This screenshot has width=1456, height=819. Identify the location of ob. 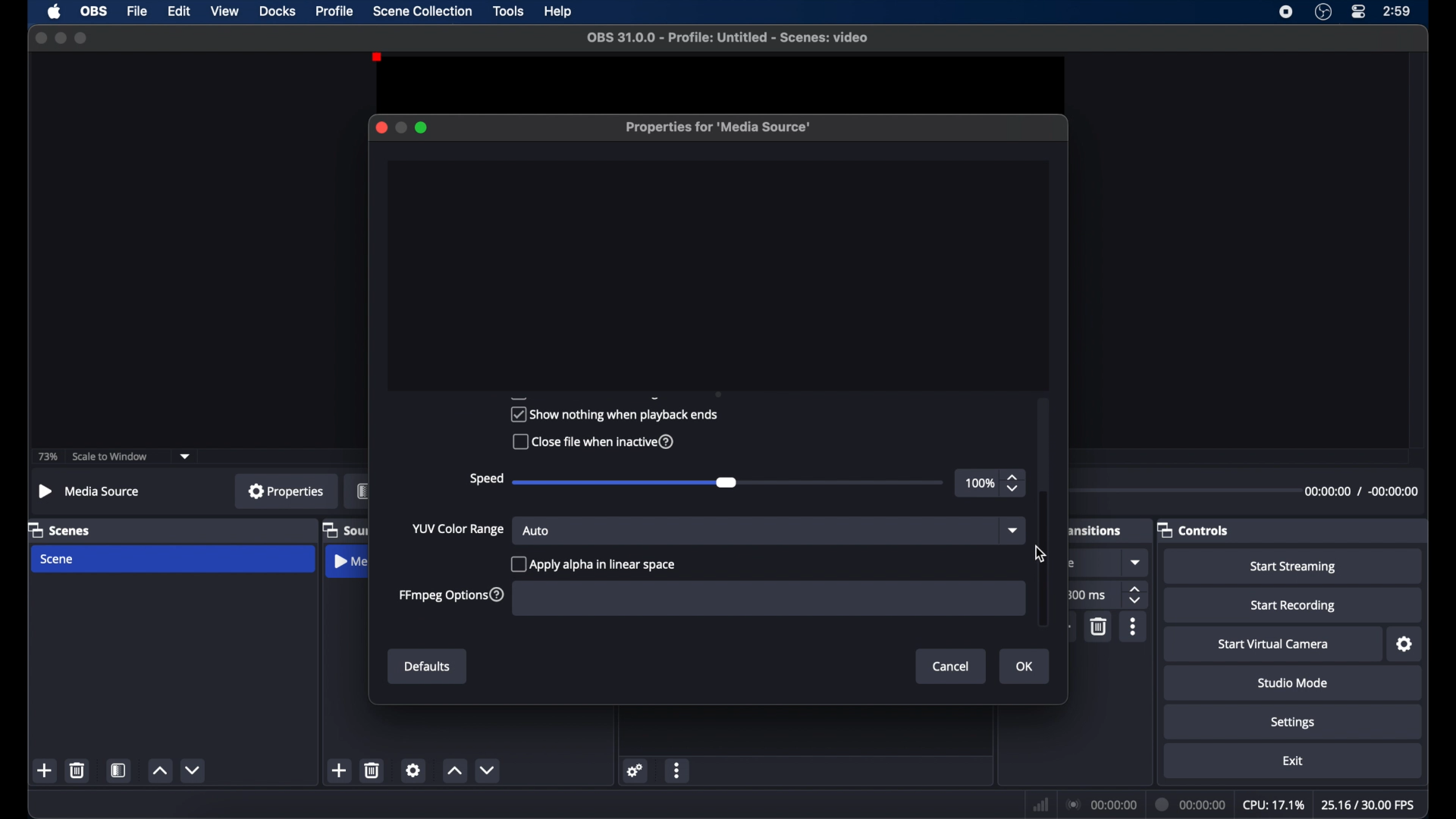
(96, 11).